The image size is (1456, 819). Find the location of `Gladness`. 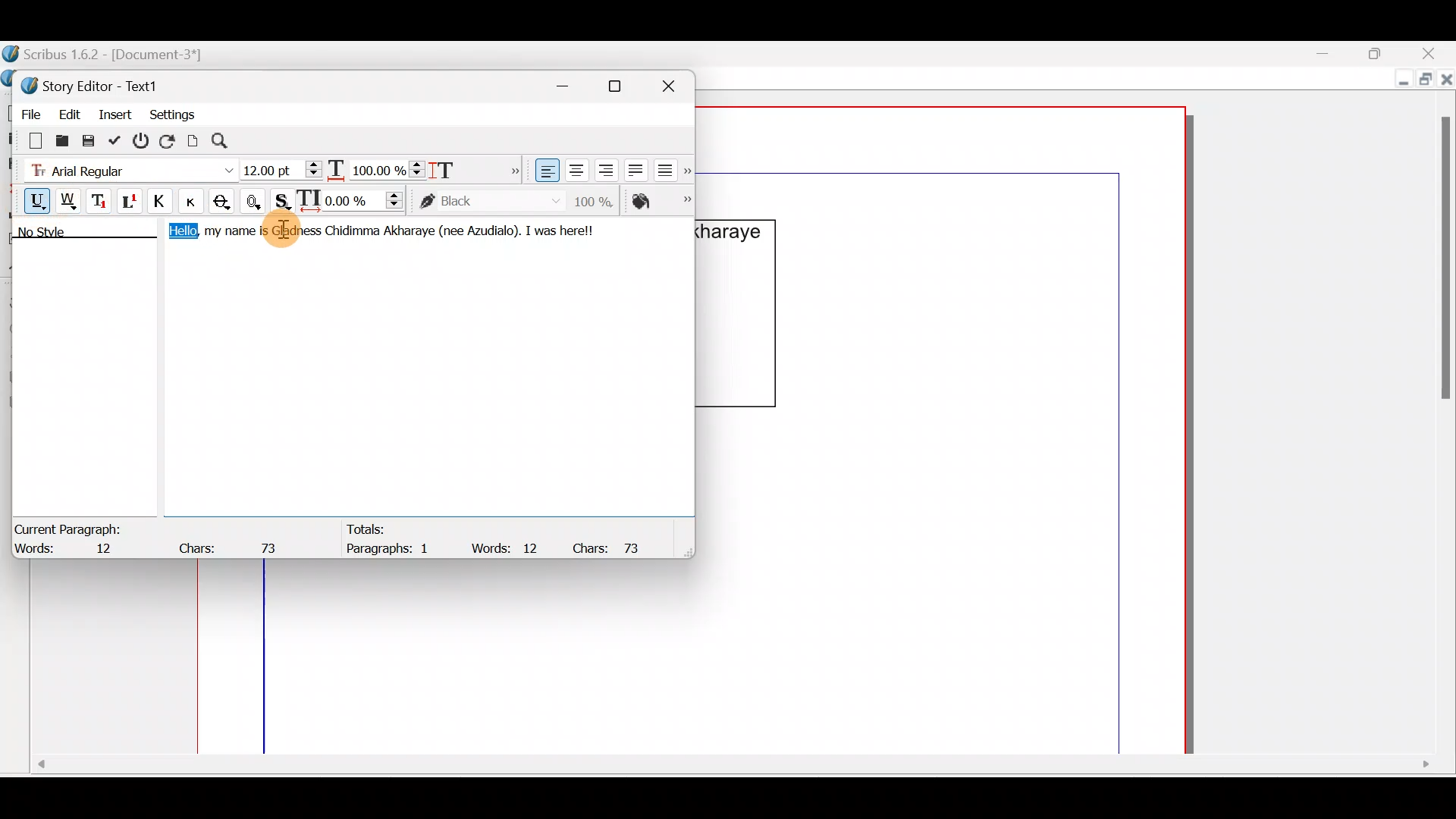

Gladness is located at coordinates (297, 231).